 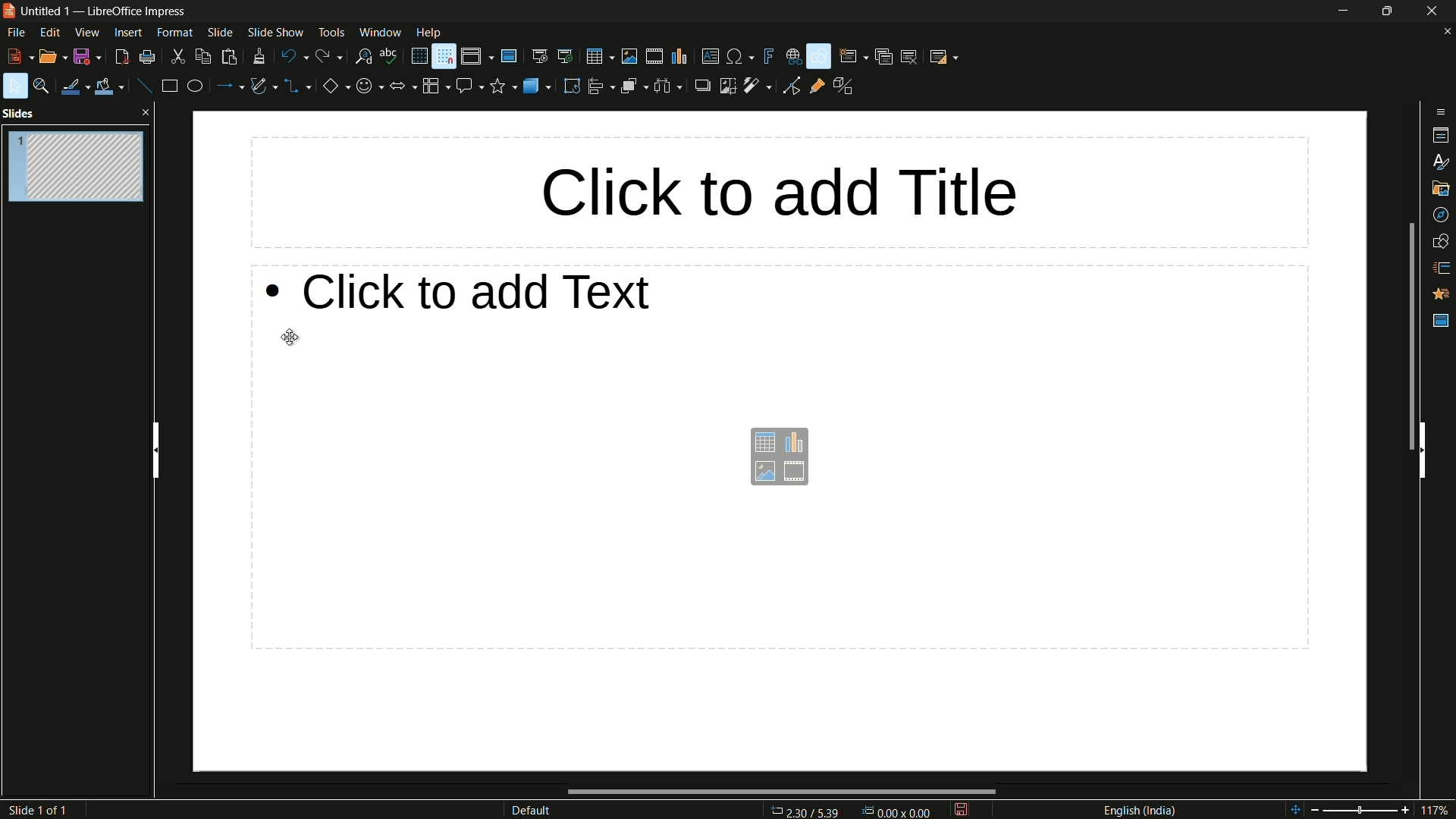 What do you see at coordinates (78, 168) in the screenshot?
I see `slide-1 hidden` at bounding box center [78, 168].